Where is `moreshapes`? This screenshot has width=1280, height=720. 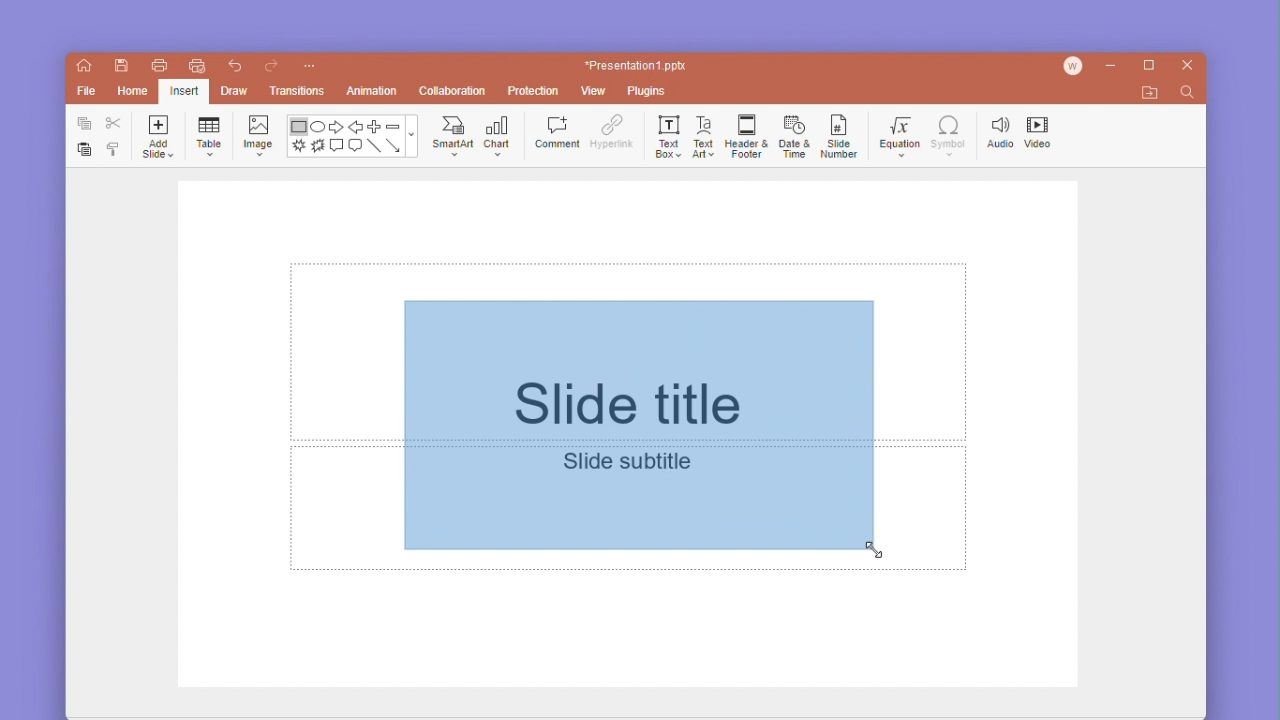 moreshapes is located at coordinates (415, 135).